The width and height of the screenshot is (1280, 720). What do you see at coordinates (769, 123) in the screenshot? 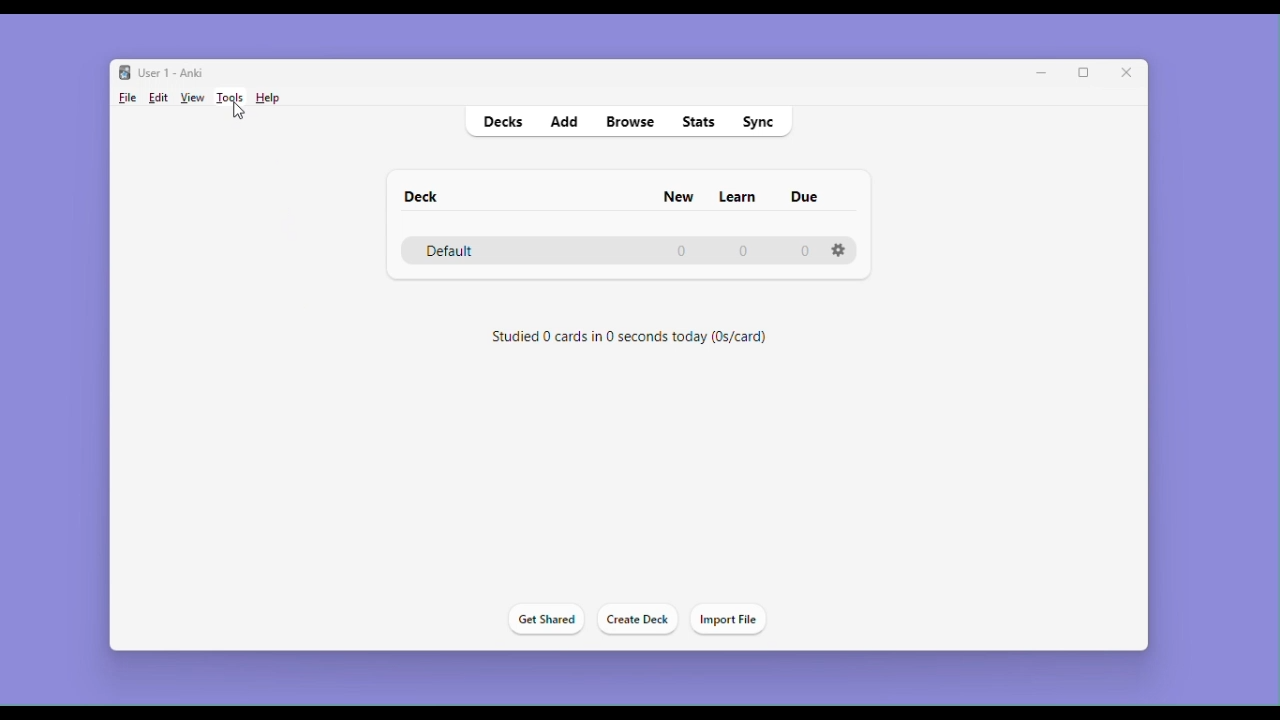
I see `Sync` at bounding box center [769, 123].